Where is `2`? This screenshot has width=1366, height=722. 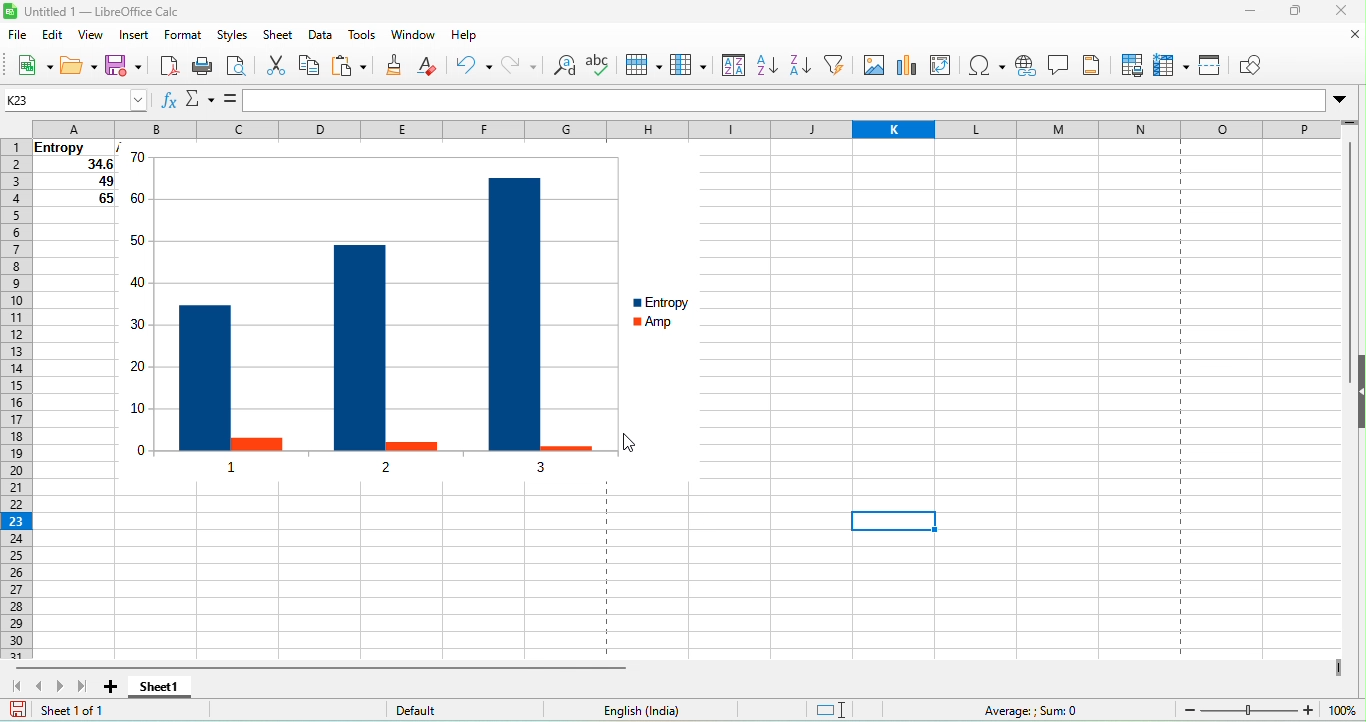 2 is located at coordinates (381, 472).